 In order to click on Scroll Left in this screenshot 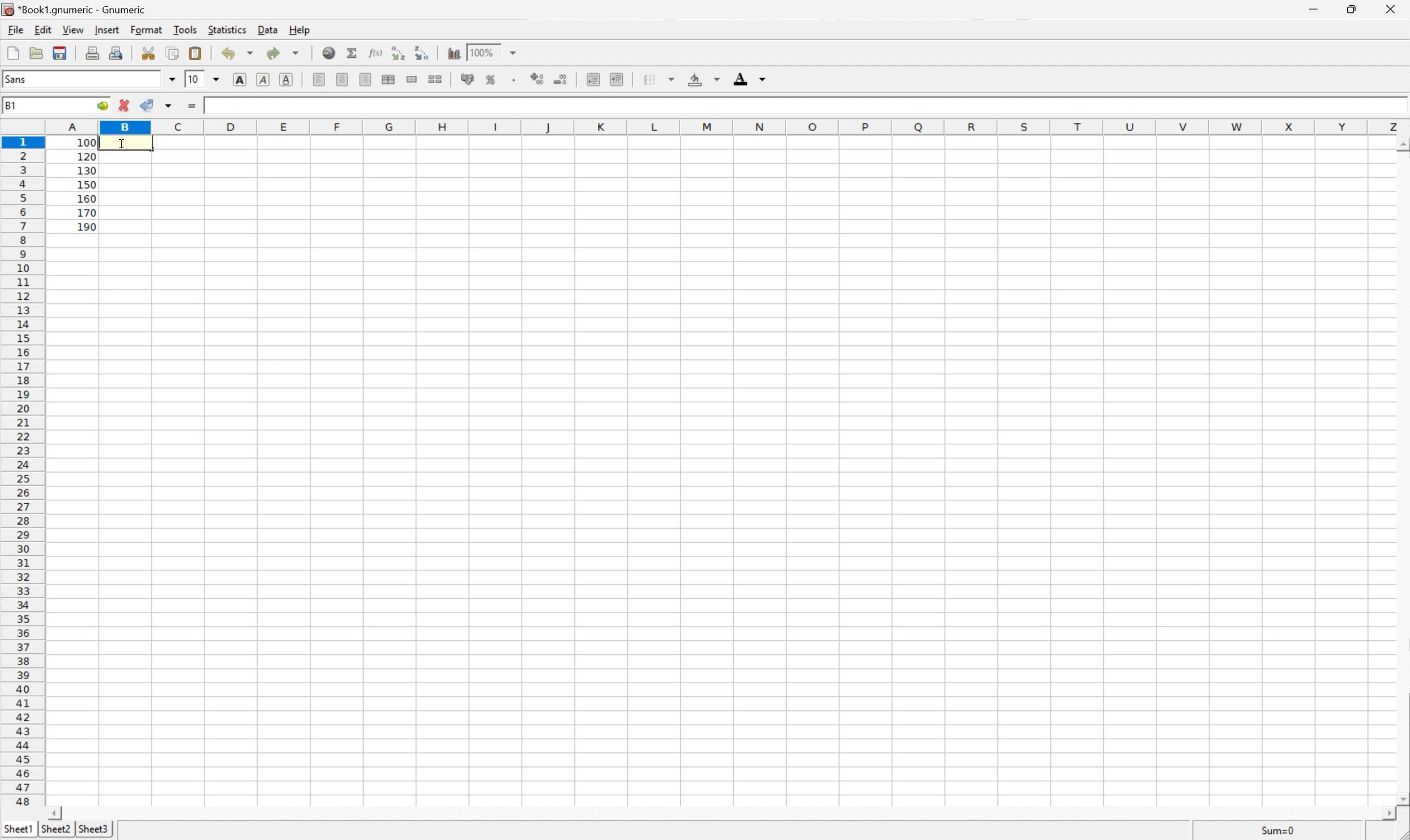, I will do `click(58, 811)`.